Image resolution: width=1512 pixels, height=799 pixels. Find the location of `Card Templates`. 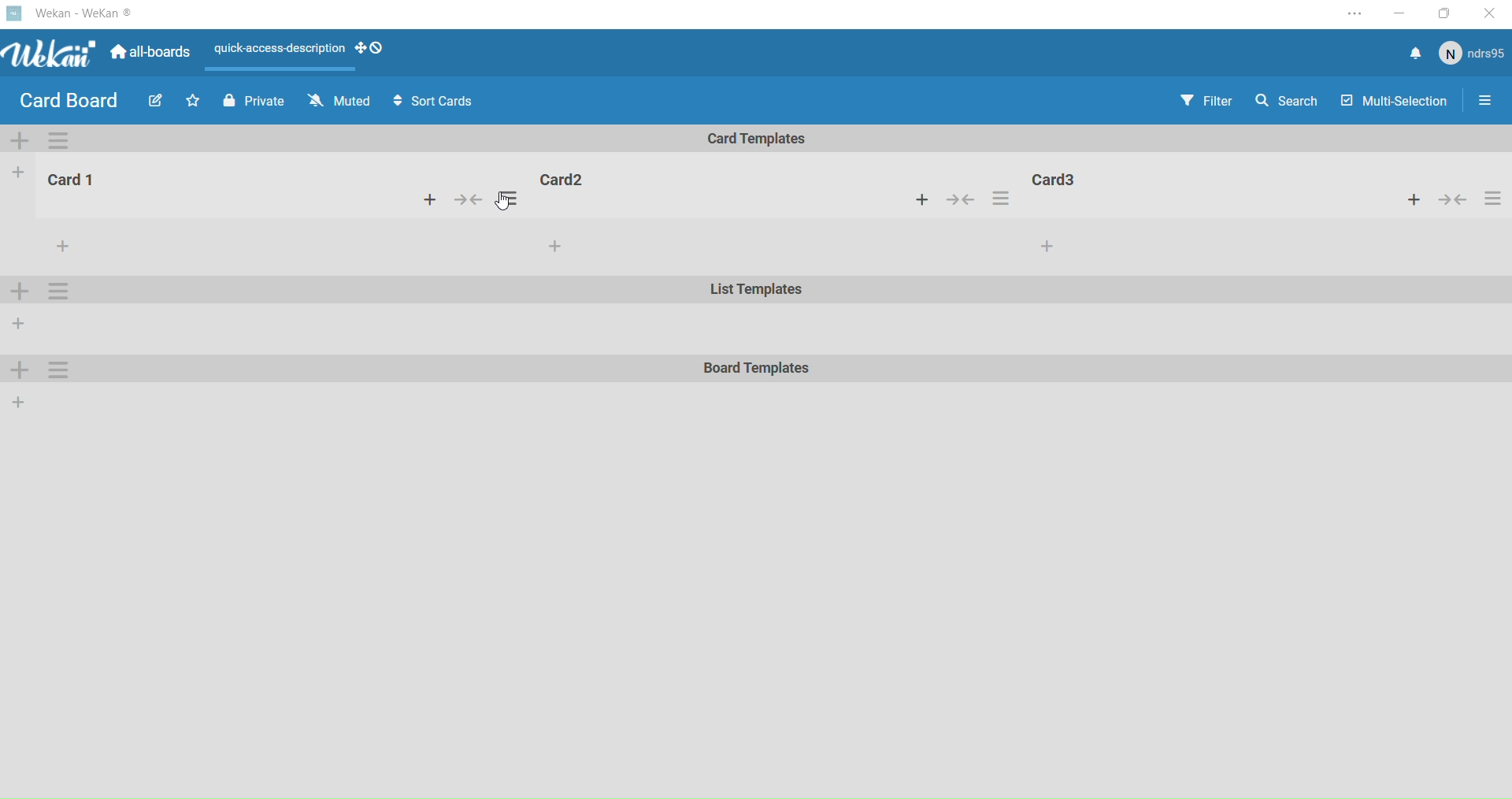

Card Templates is located at coordinates (759, 139).